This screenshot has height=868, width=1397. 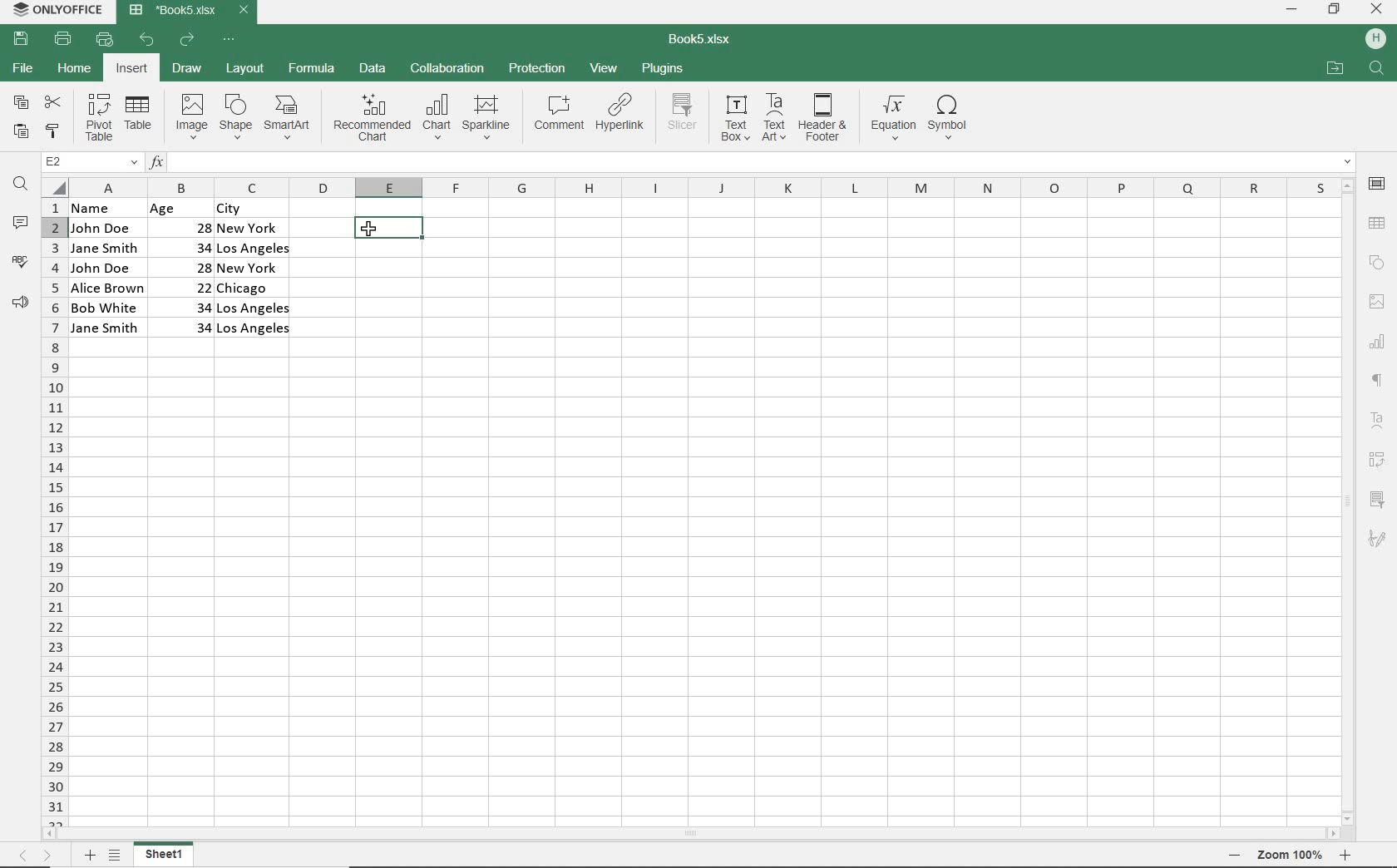 What do you see at coordinates (89, 855) in the screenshot?
I see `ADD SHEETS` at bounding box center [89, 855].